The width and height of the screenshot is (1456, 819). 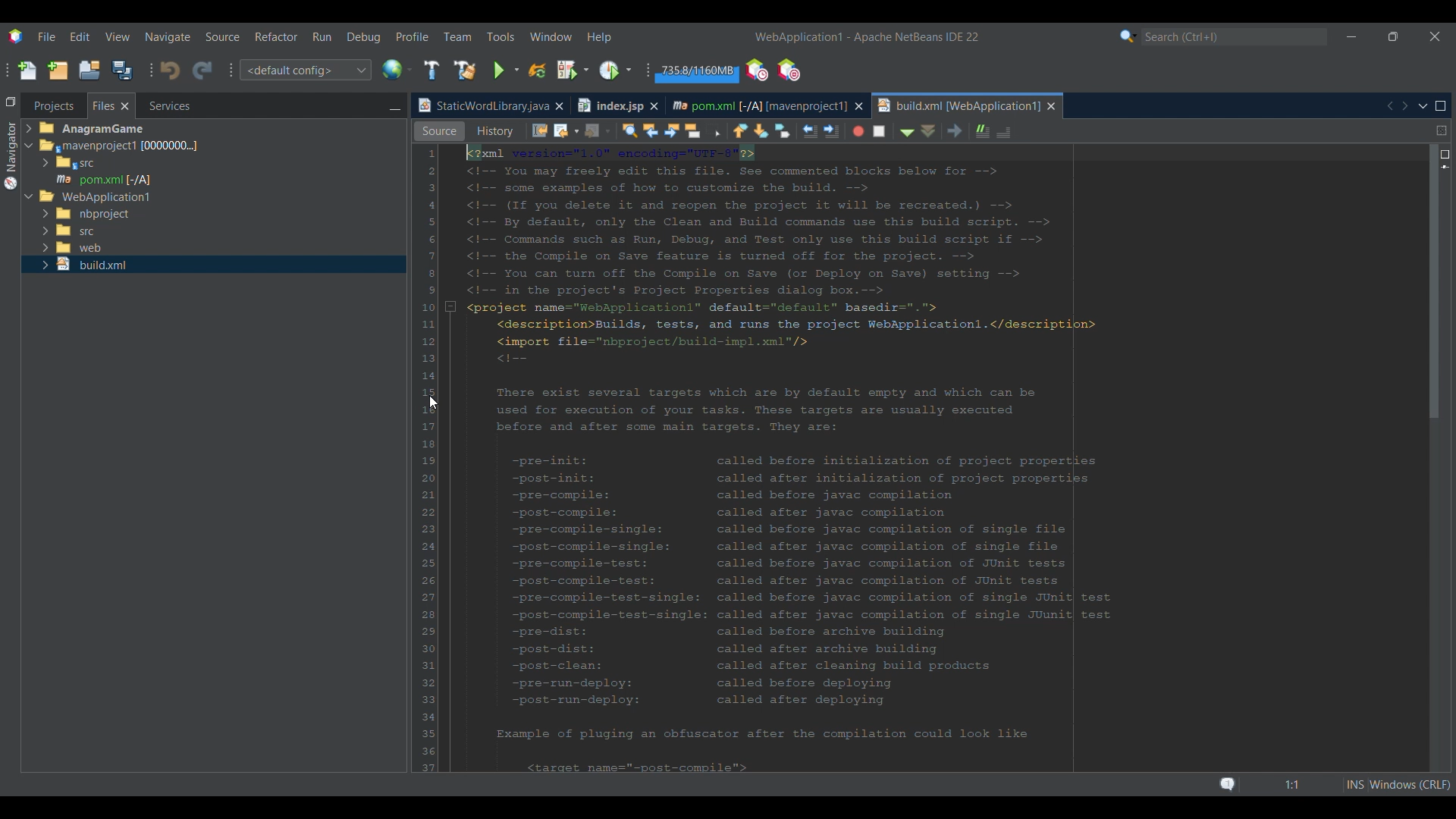 I want to click on Stop macro recording, so click(x=1019, y=130).